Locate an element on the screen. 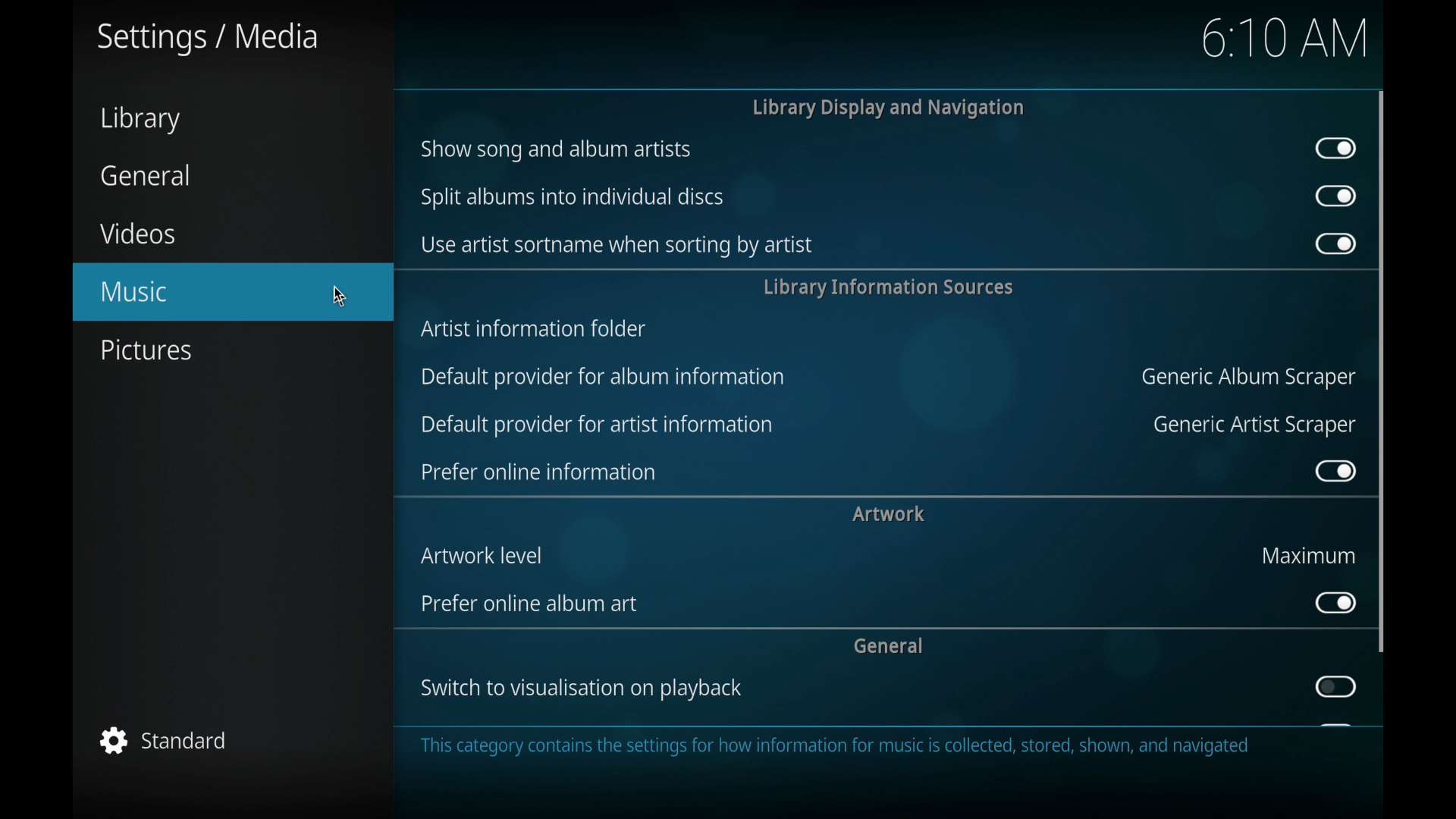  toggle button is located at coordinates (1336, 687).